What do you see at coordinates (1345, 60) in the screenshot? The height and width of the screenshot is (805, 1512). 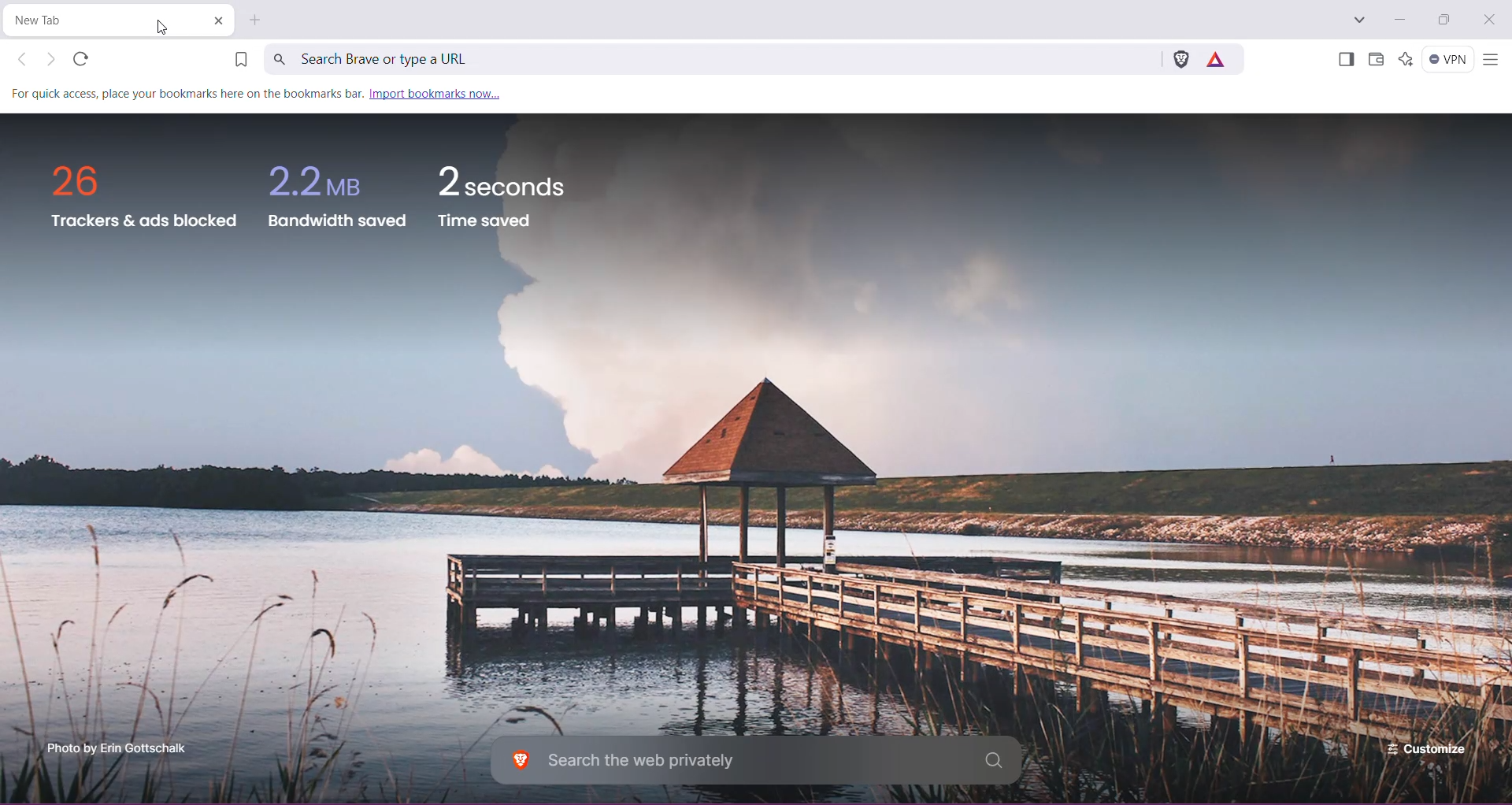 I see `Show Sidebar` at bounding box center [1345, 60].